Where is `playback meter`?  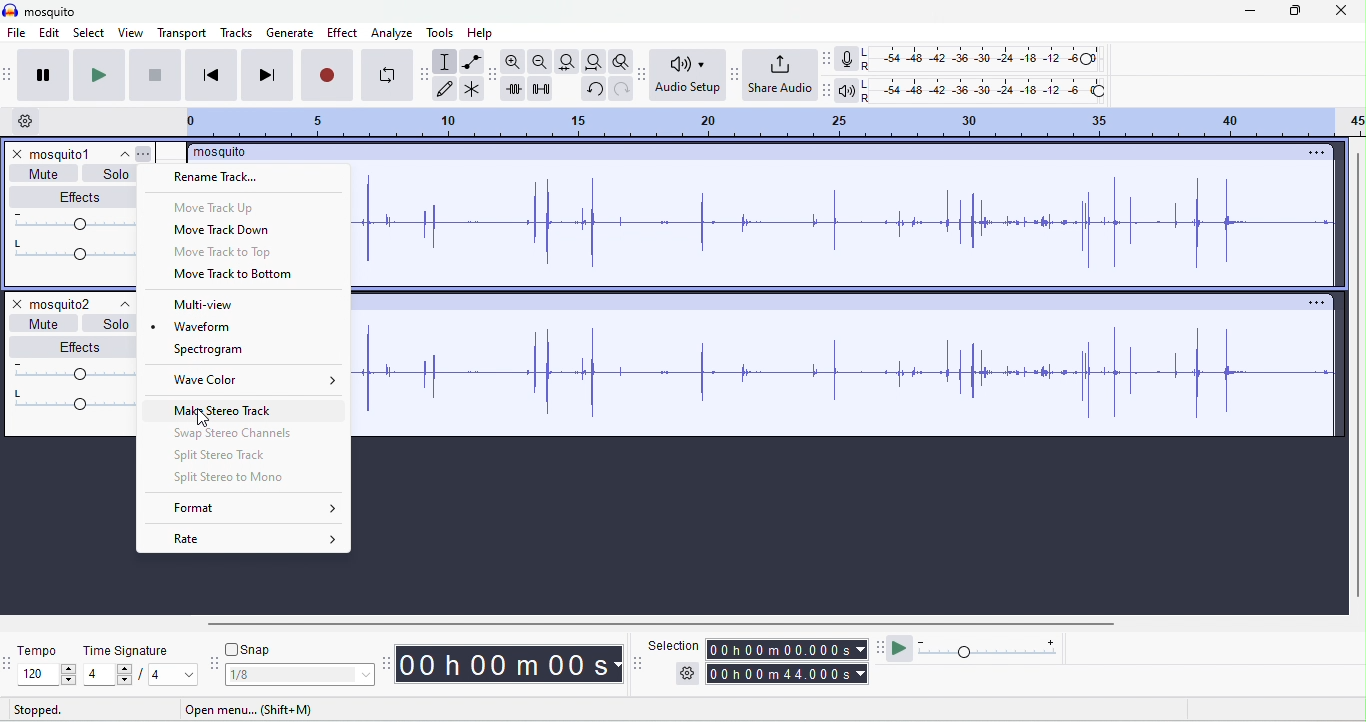
playback meter is located at coordinates (844, 91).